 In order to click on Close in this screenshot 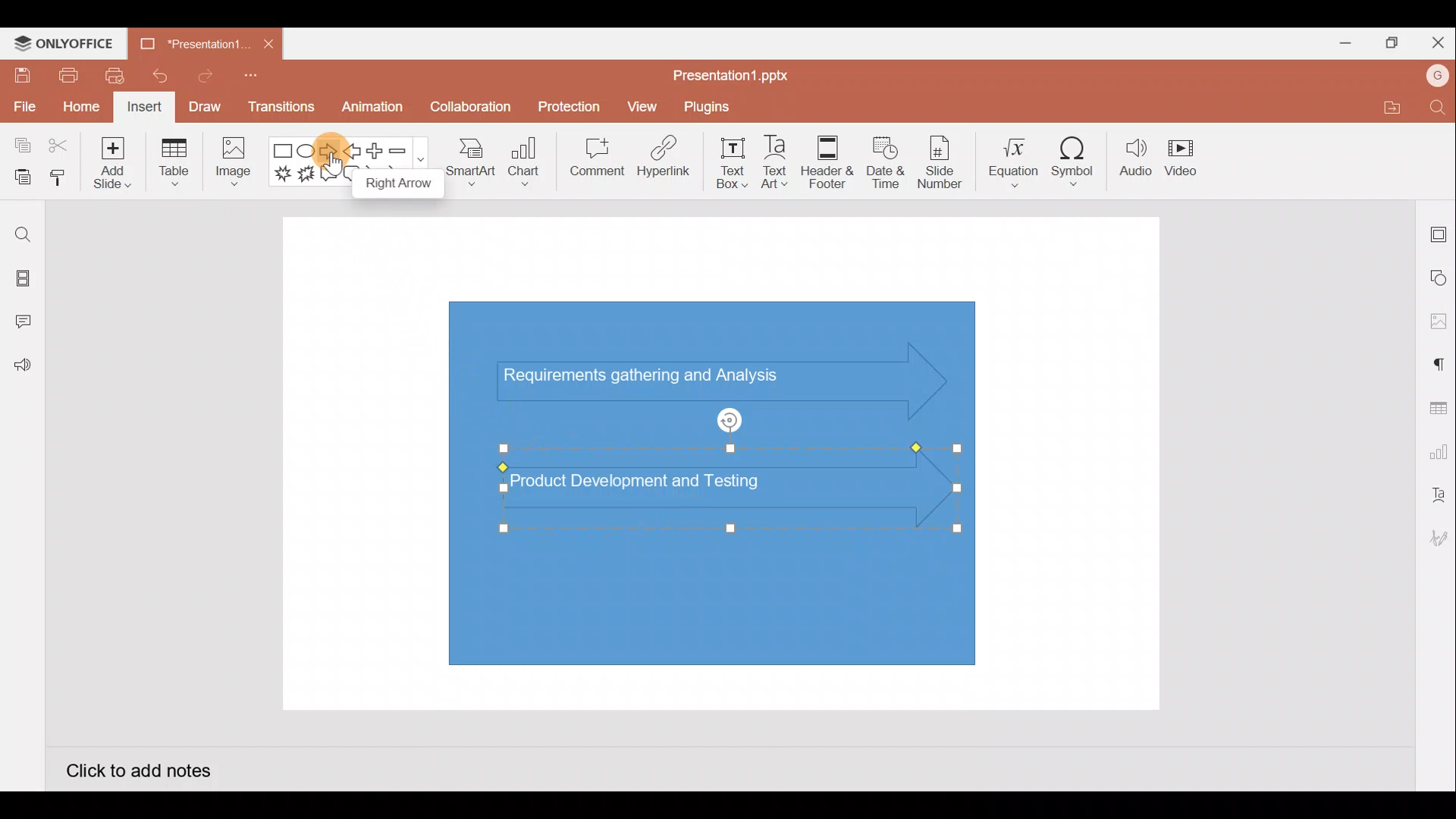, I will do `click(1435, 39)`.